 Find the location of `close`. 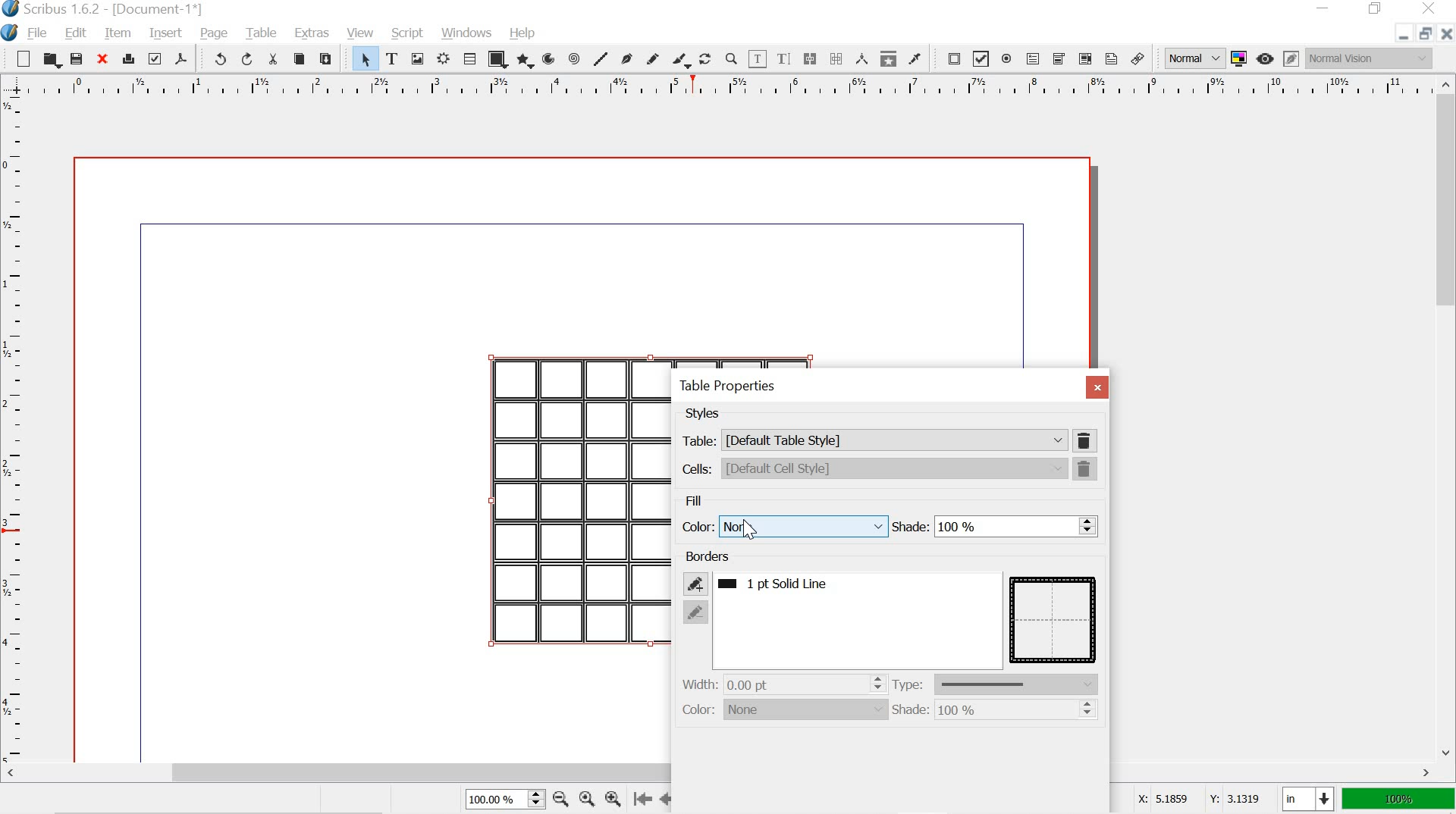

close is located at coordinates (104, 60).